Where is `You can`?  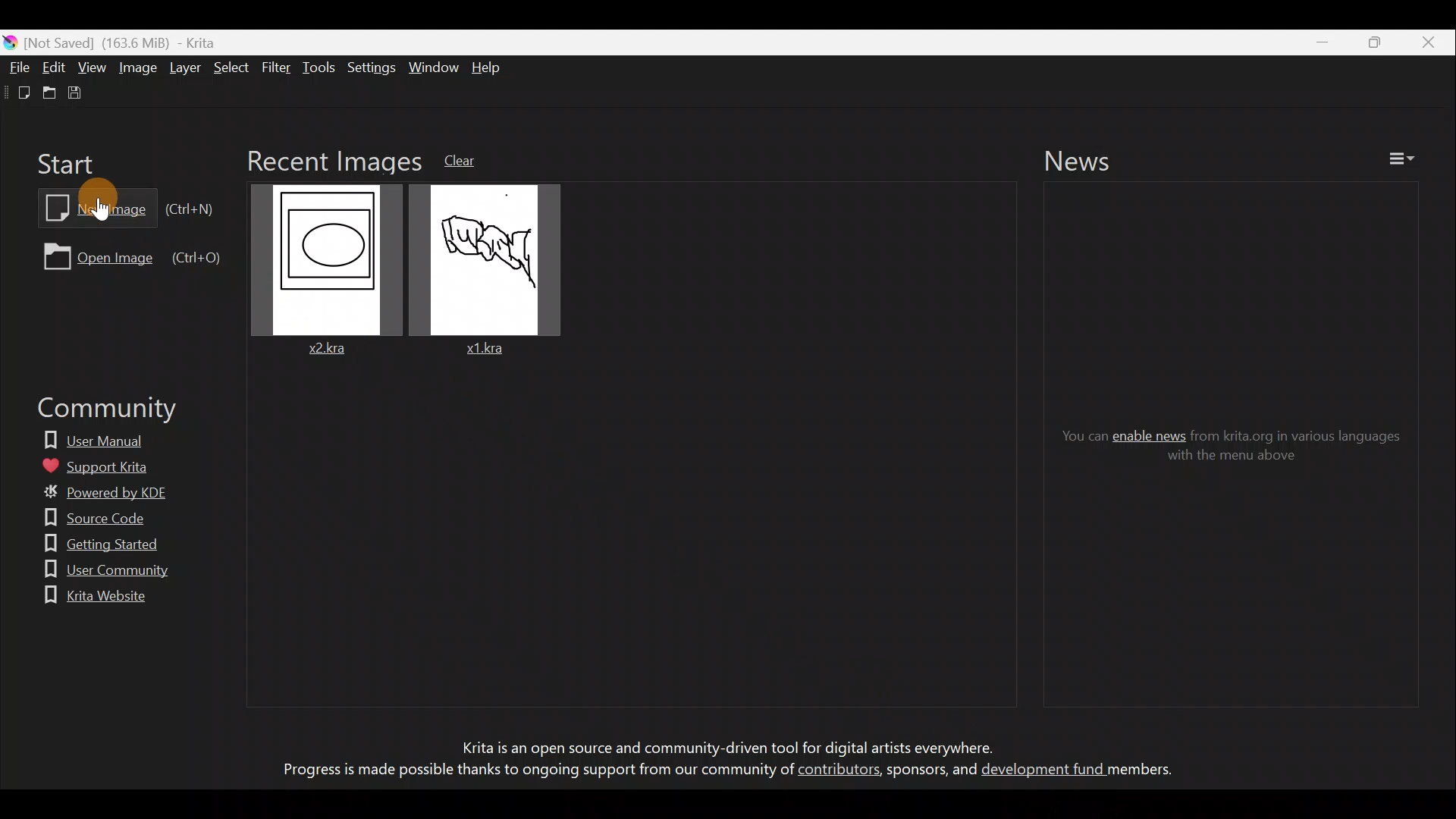 You can is located at coordinates (1074, 436).